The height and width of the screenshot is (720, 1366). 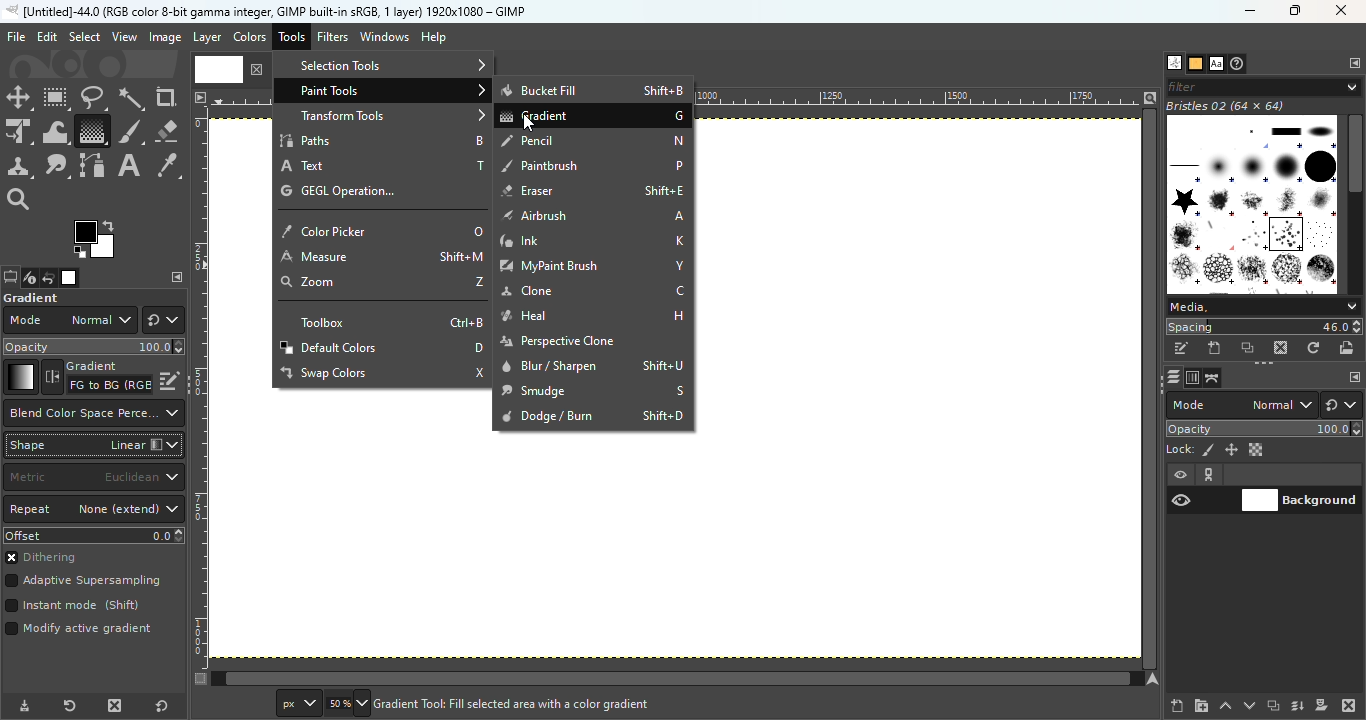 What do you see at coordinates (1264, 327) in the screenshot?
I see `Spacing` at bounding box center [1264, 327].